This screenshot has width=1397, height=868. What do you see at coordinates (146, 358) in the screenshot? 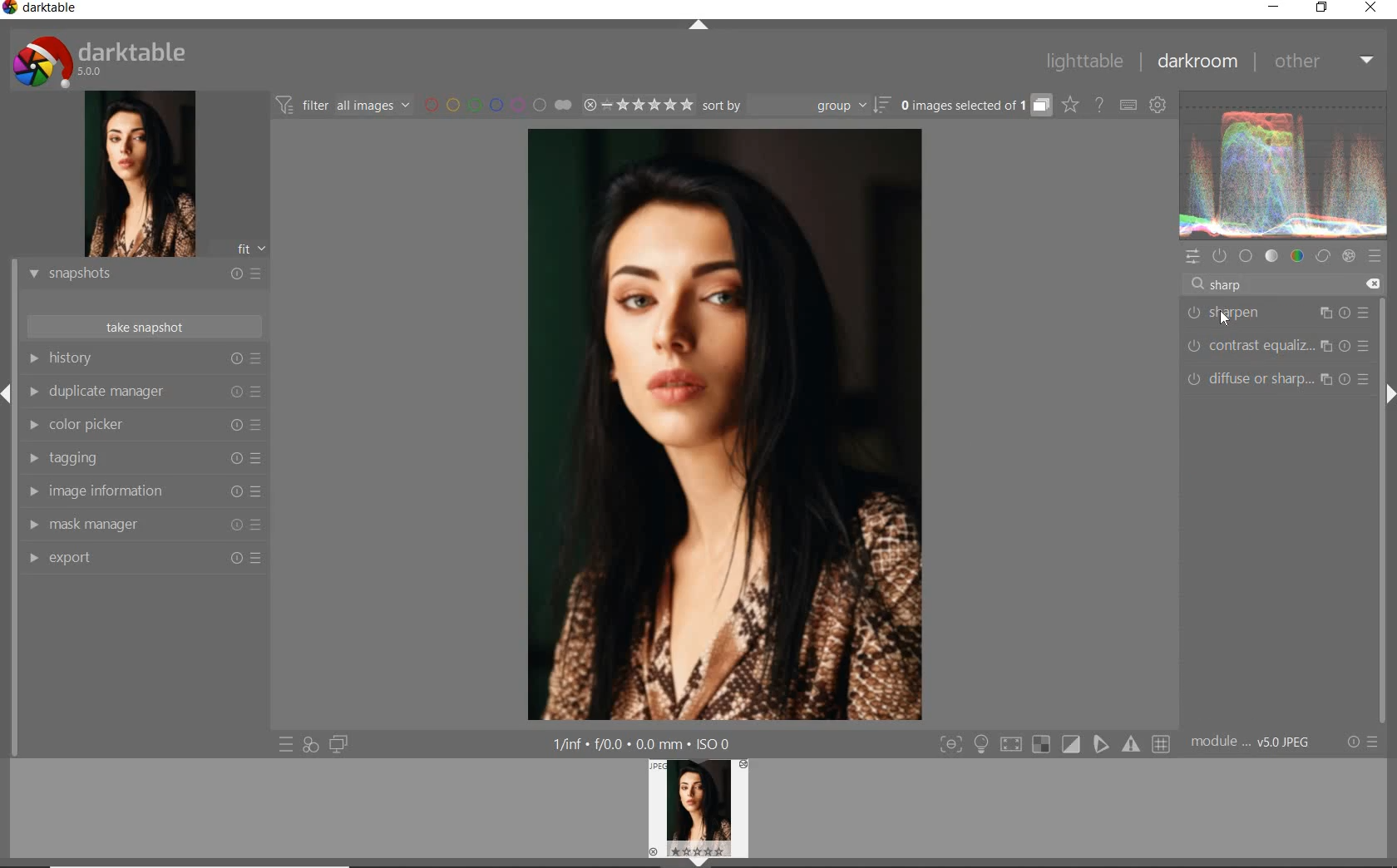
I see `history` at bounding box center [146, 358].